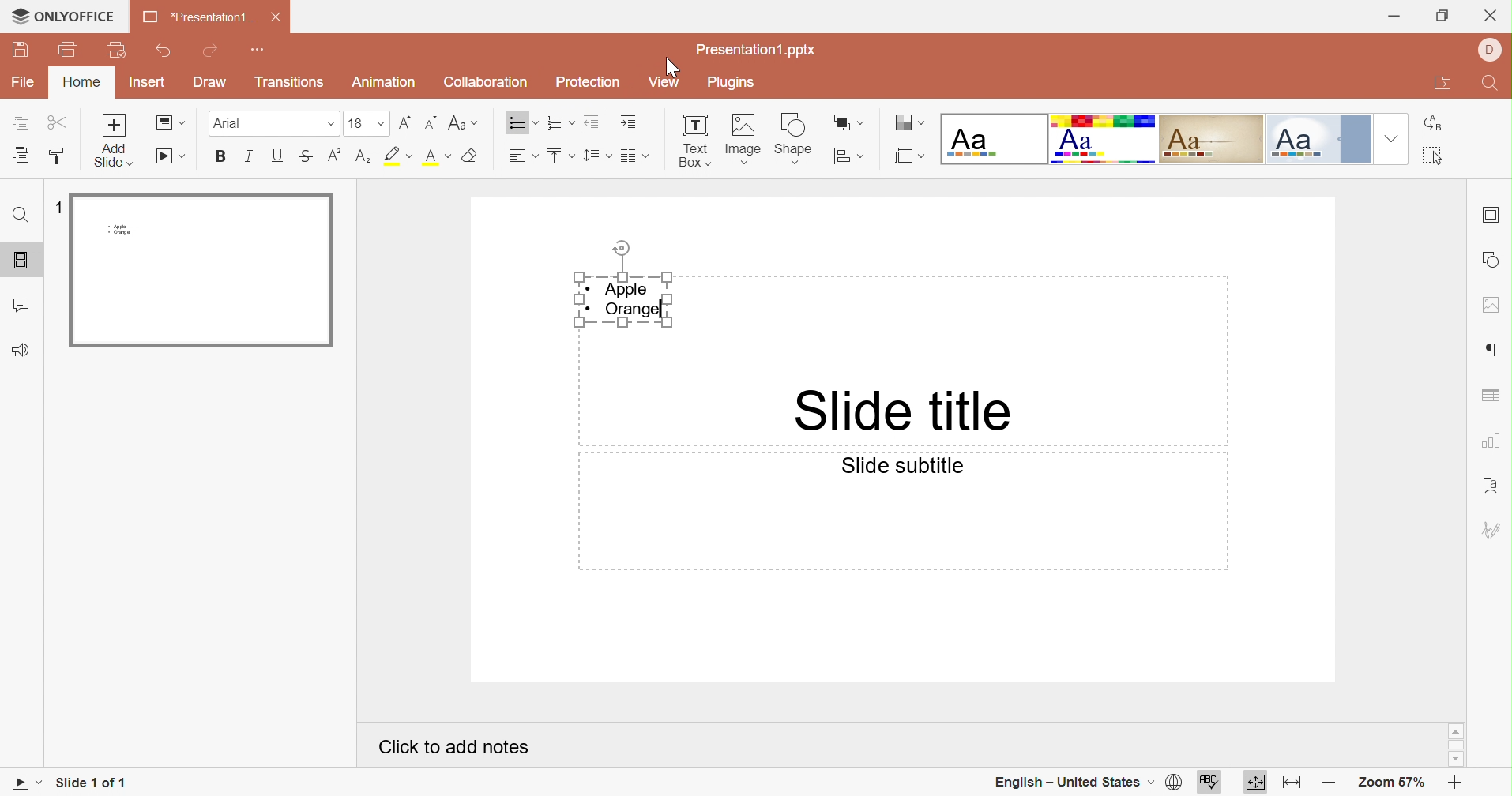  I want to click on Minimize, so click(1399, 13).